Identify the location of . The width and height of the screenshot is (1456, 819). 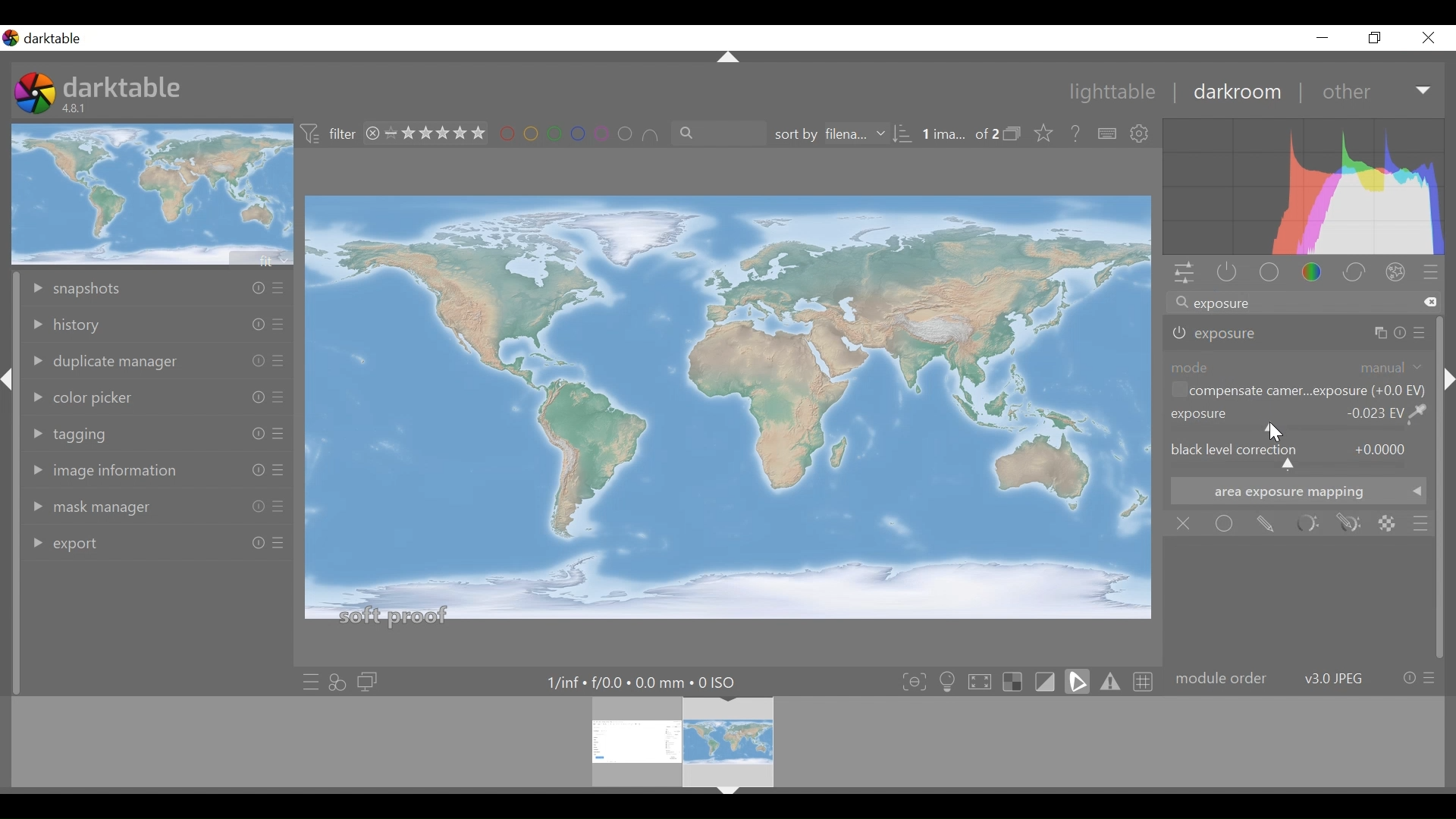
(276, 327).